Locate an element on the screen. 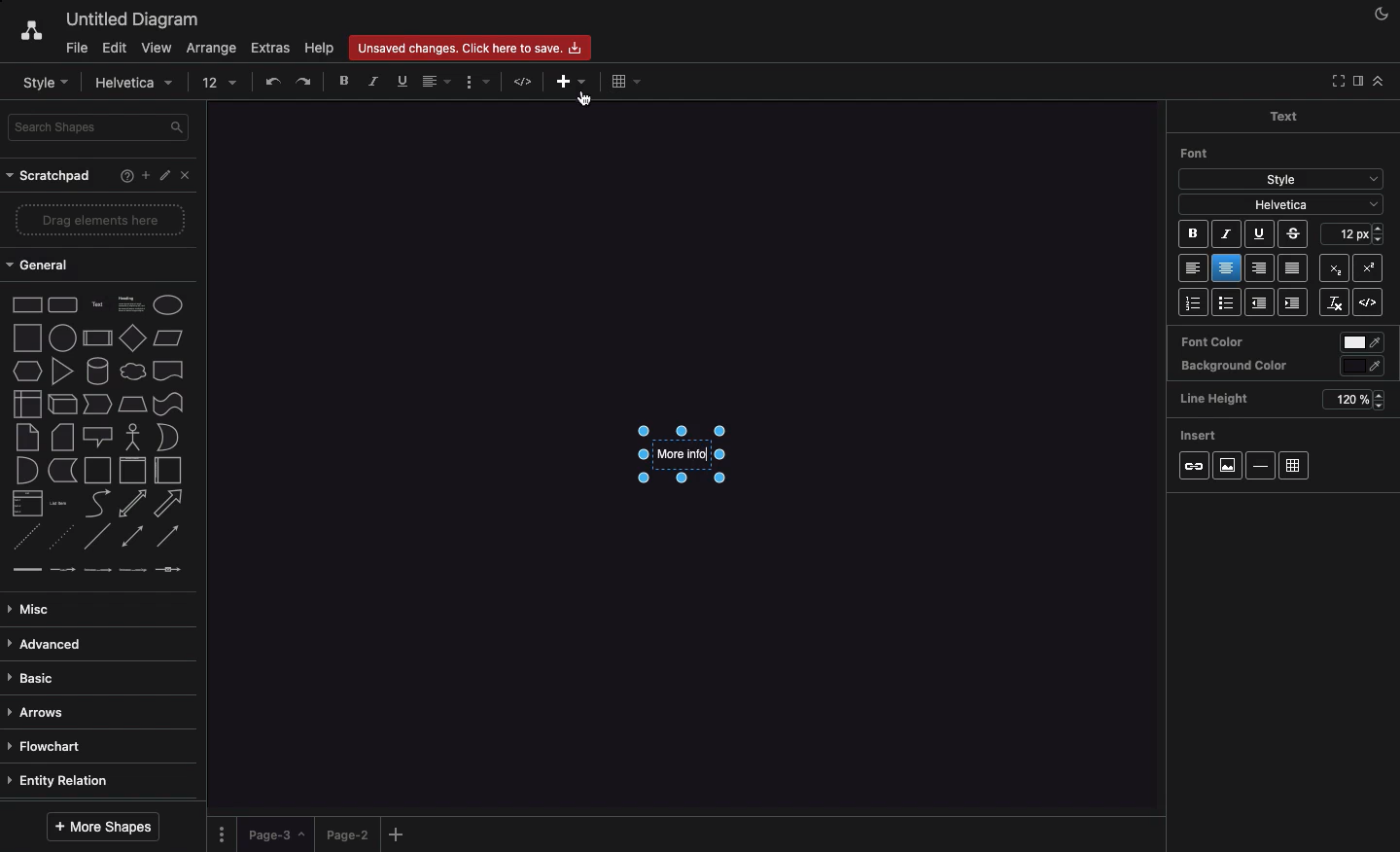  Underline is located at coordinates (1258, 235).